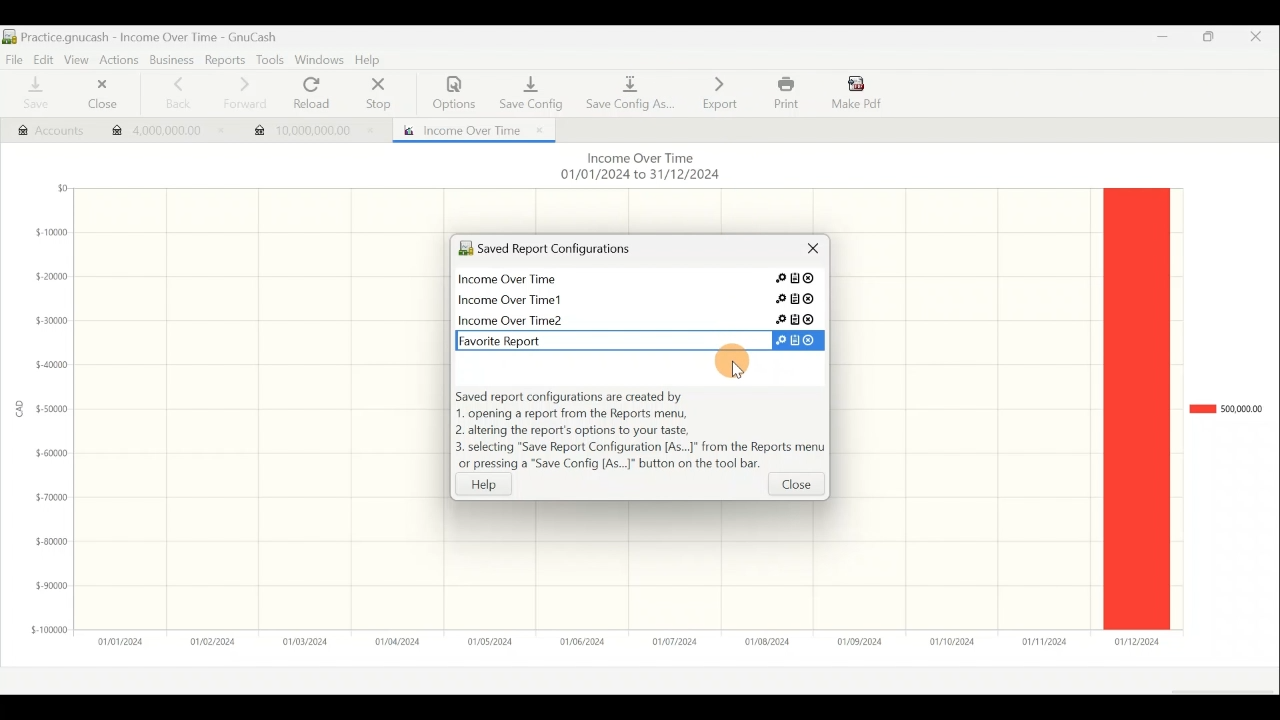  What do you see at coordinates (1263, 40) in the screenshot?
I see `Close` at bounding box center [1263, 40].